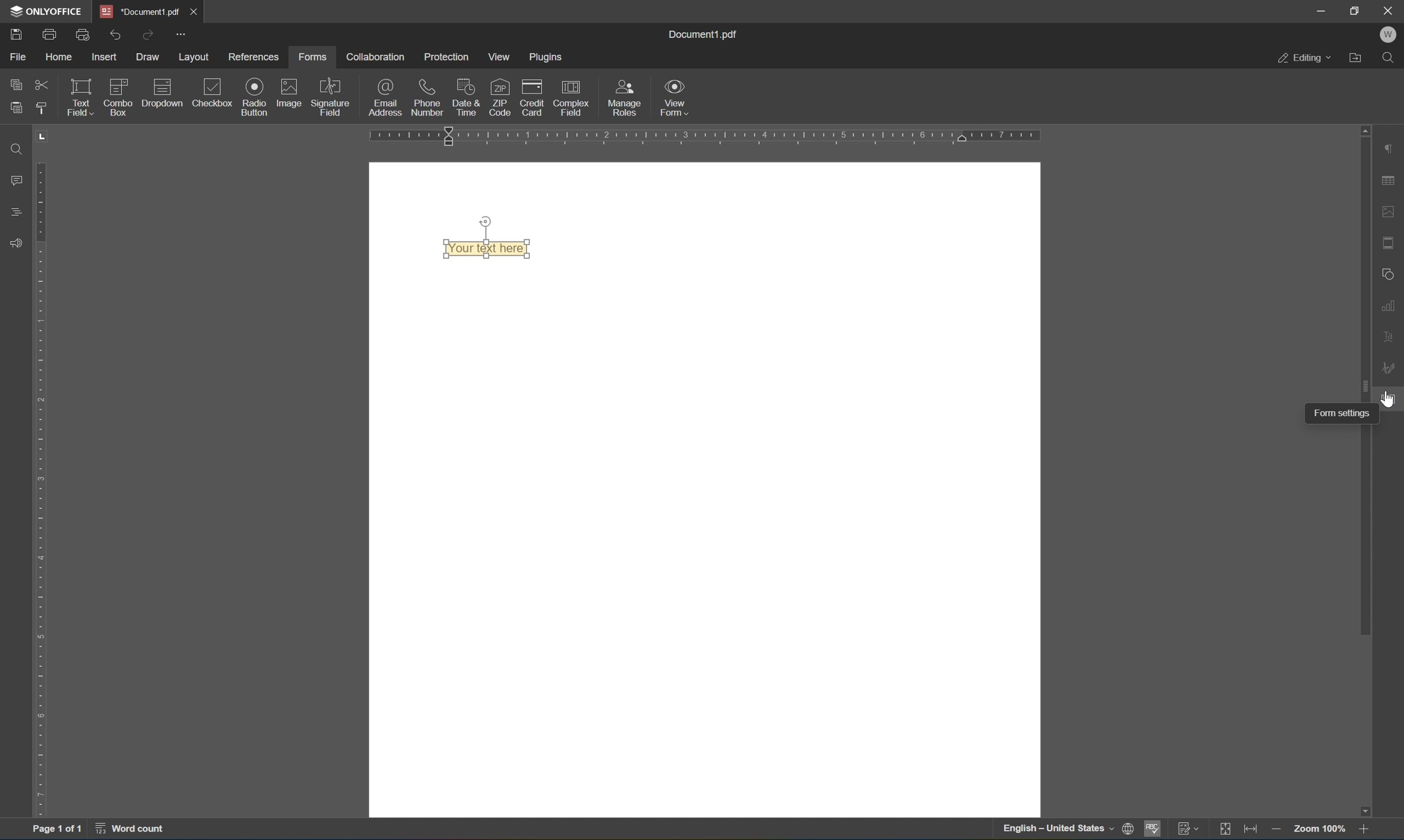  I want to click on home, so click(58, 59).